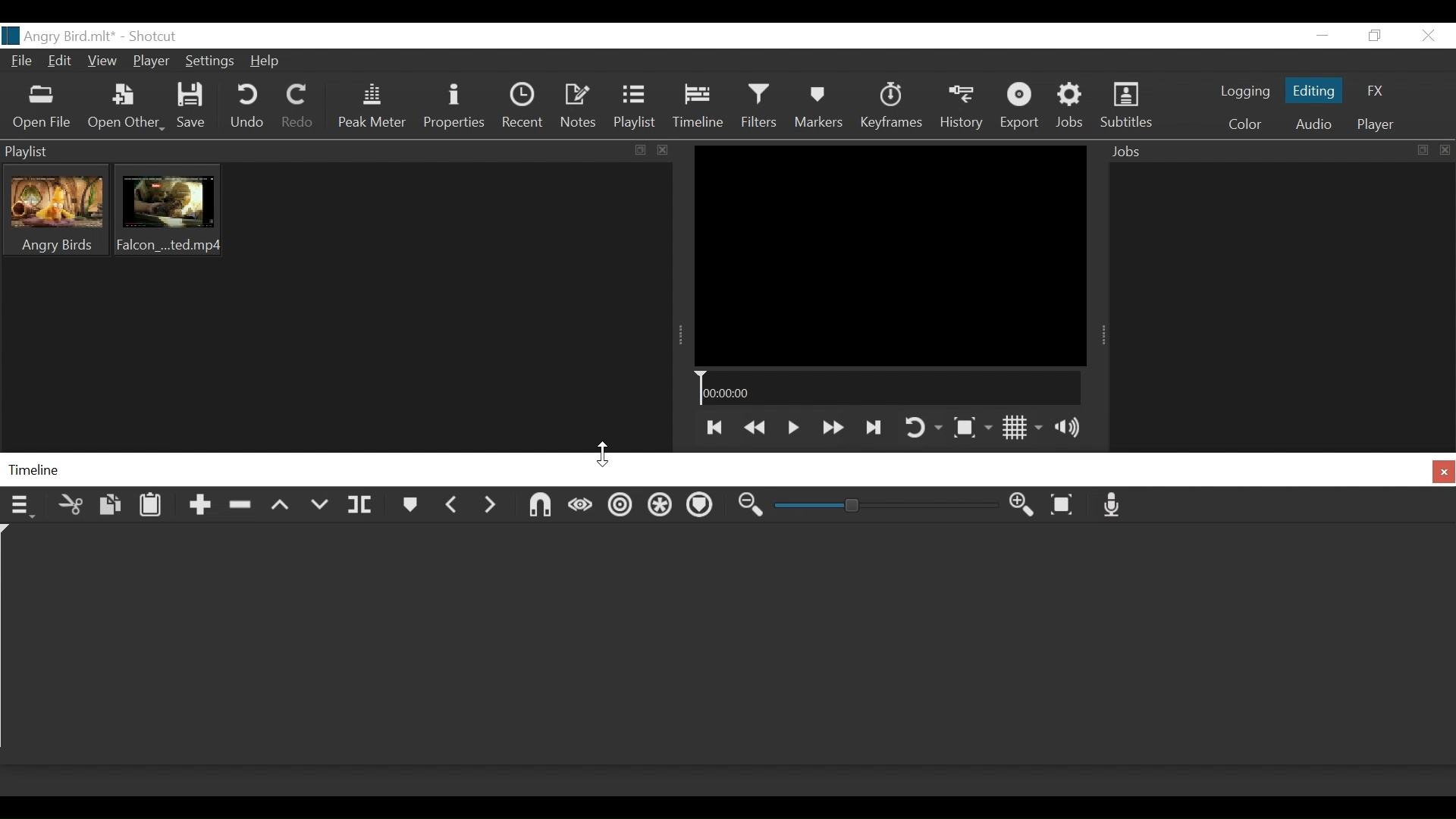  What do you see at coordinates (320, 507) in the screenshot?
I see `Overwrite` at bounding box center [320, 507].